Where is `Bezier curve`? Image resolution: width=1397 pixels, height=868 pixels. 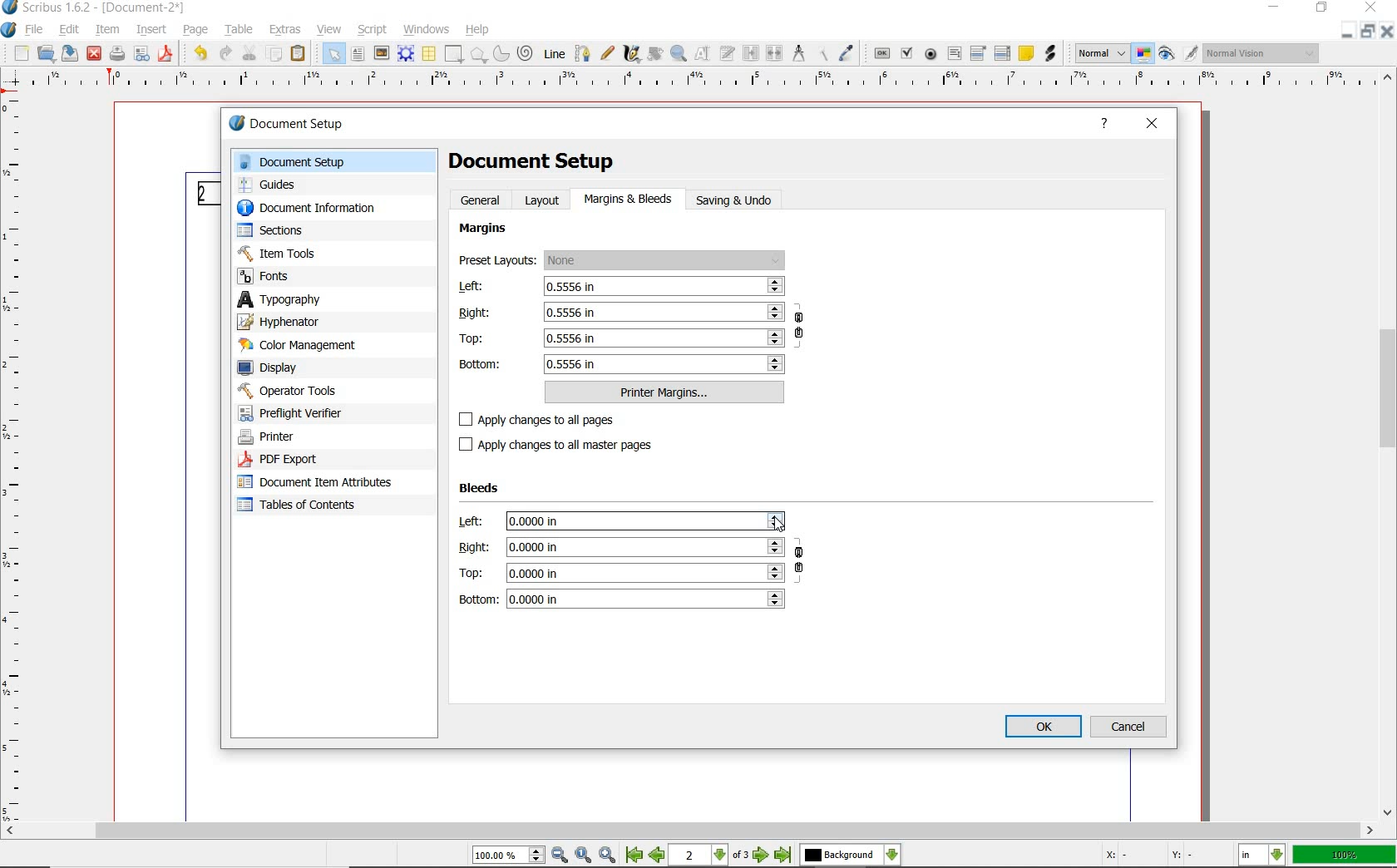
Bezier curve is located at coordinates (583, 53).